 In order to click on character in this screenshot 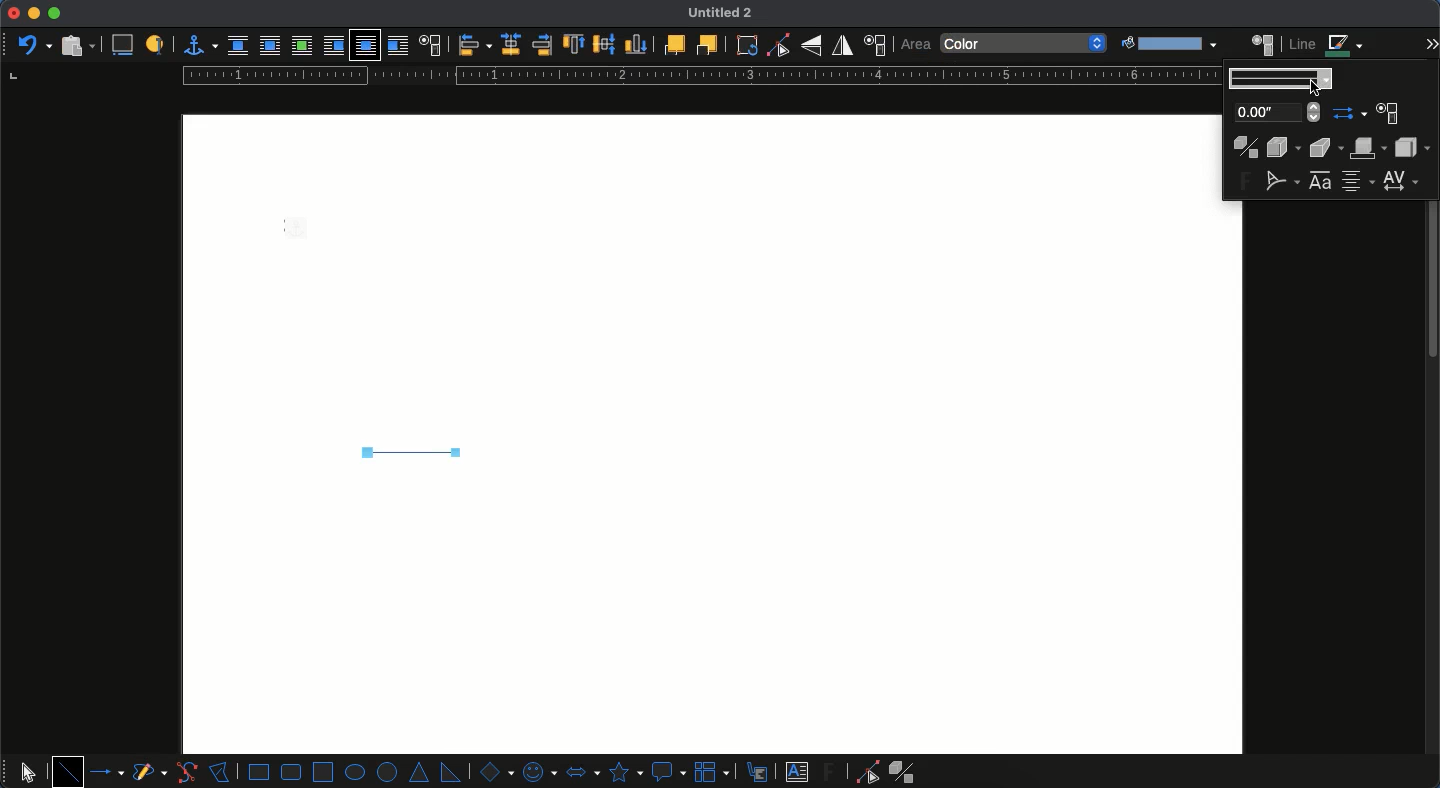, I will do `click(1387, 115)`.